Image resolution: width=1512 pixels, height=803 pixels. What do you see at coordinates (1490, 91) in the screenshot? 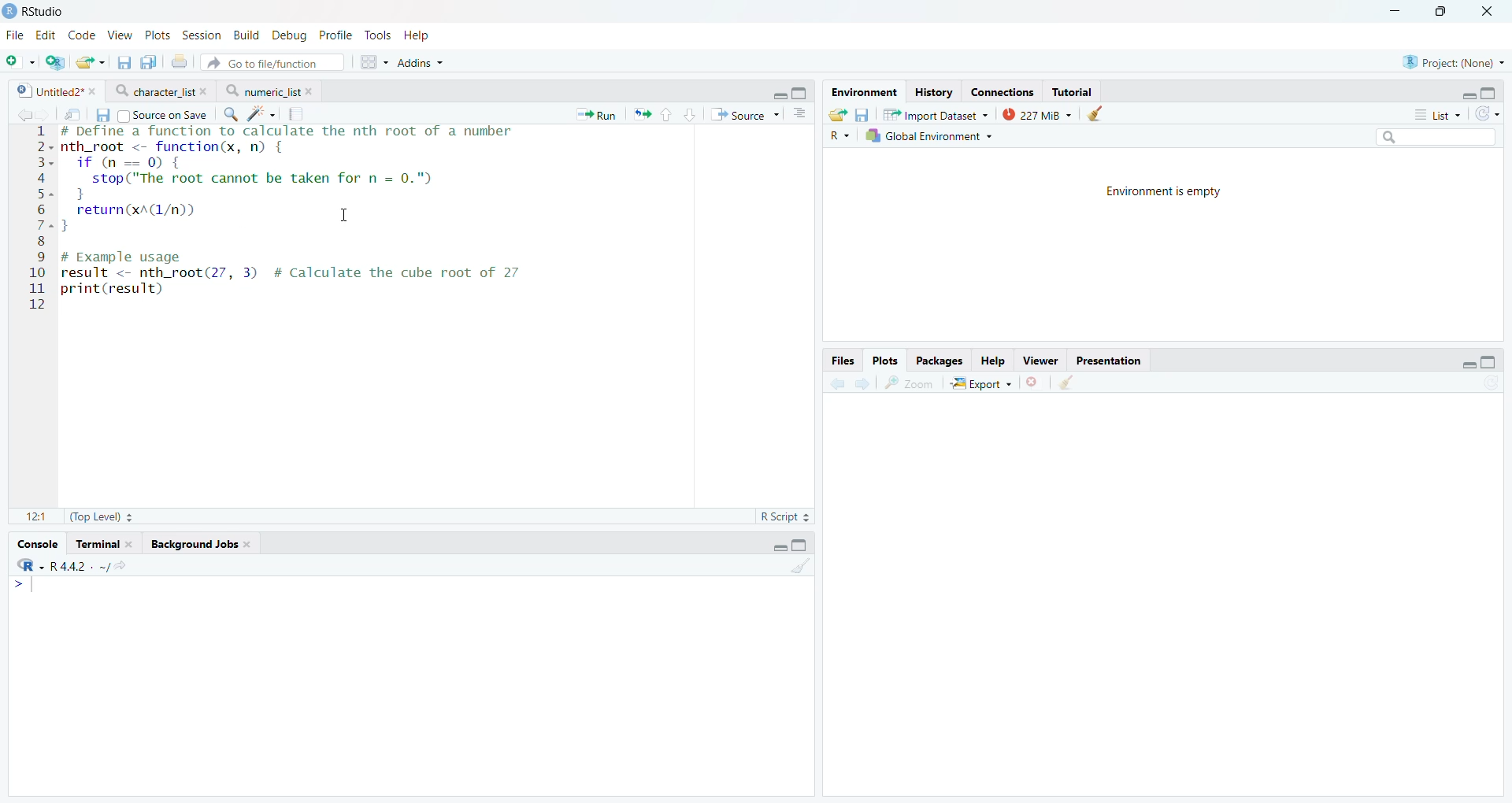
I see `Full Height` at bounding box center [1490, 91].